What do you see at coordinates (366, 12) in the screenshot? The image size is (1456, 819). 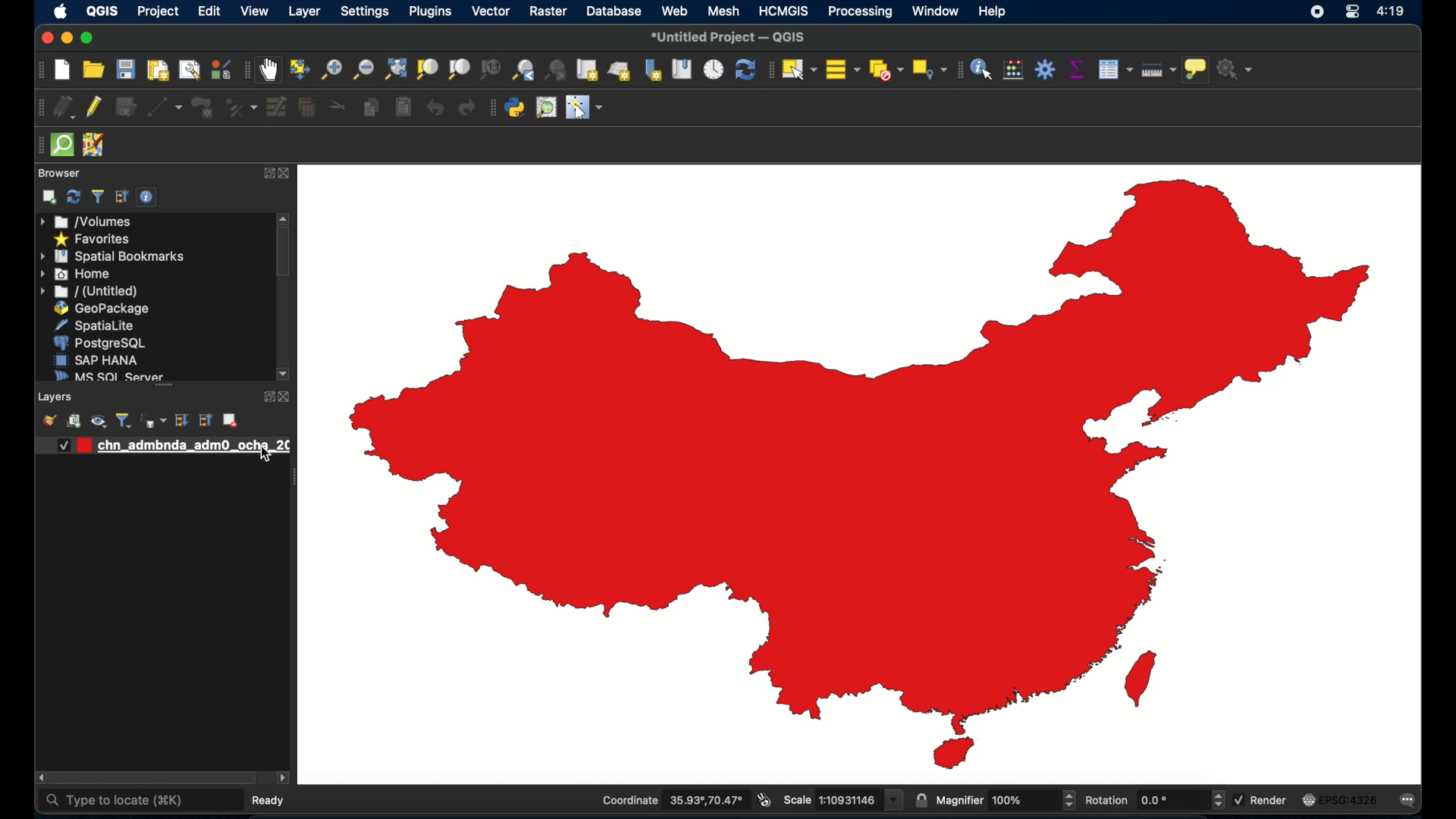 I see `settings` at bounding box center [366, 12].